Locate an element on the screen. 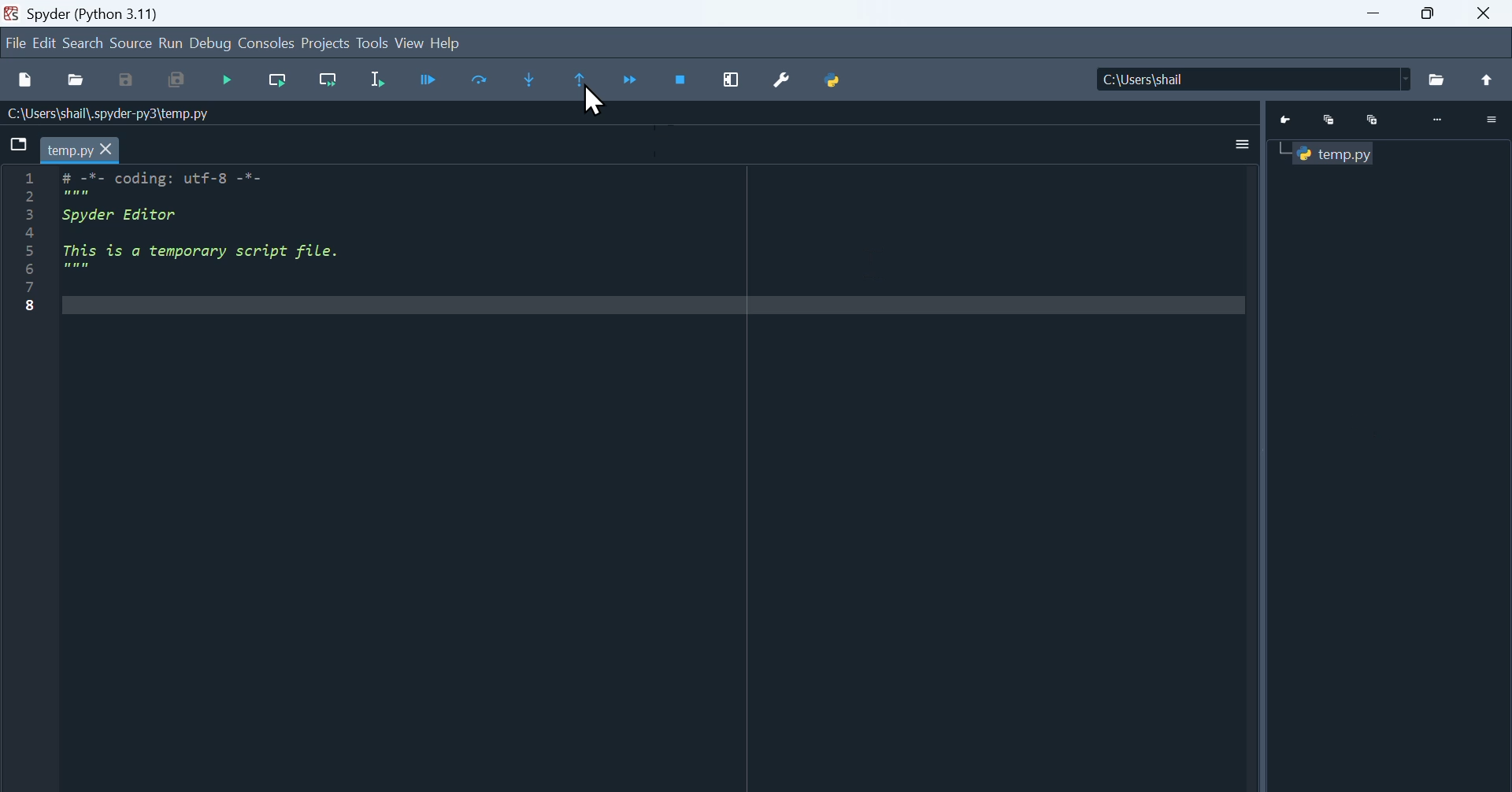 The width and height of the screenshot is (1512, 792). Spyder (Python 3.11) is located at coordinates (99, 13).